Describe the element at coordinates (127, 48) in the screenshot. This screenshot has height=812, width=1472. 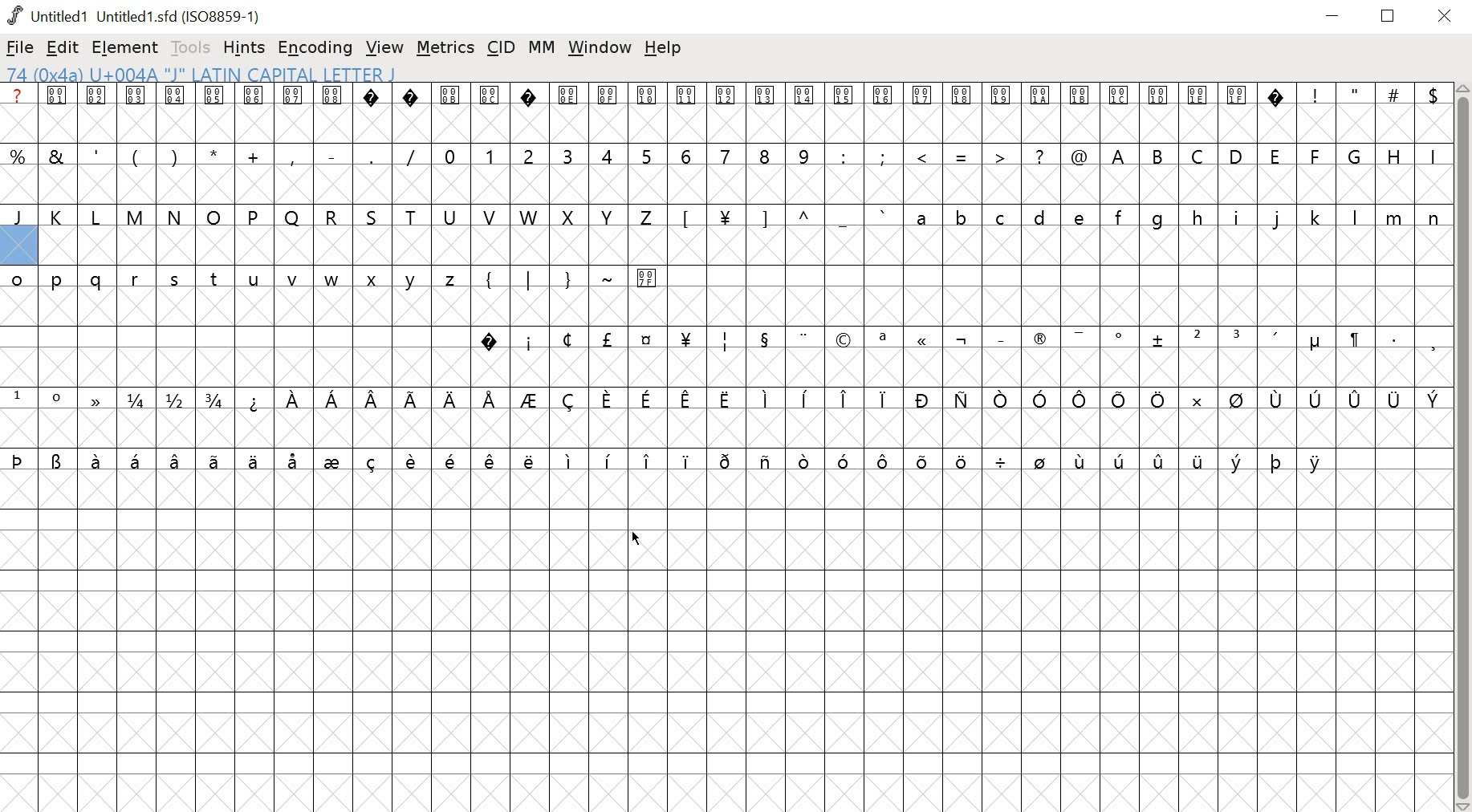
I see `ELEMENT` at that location.